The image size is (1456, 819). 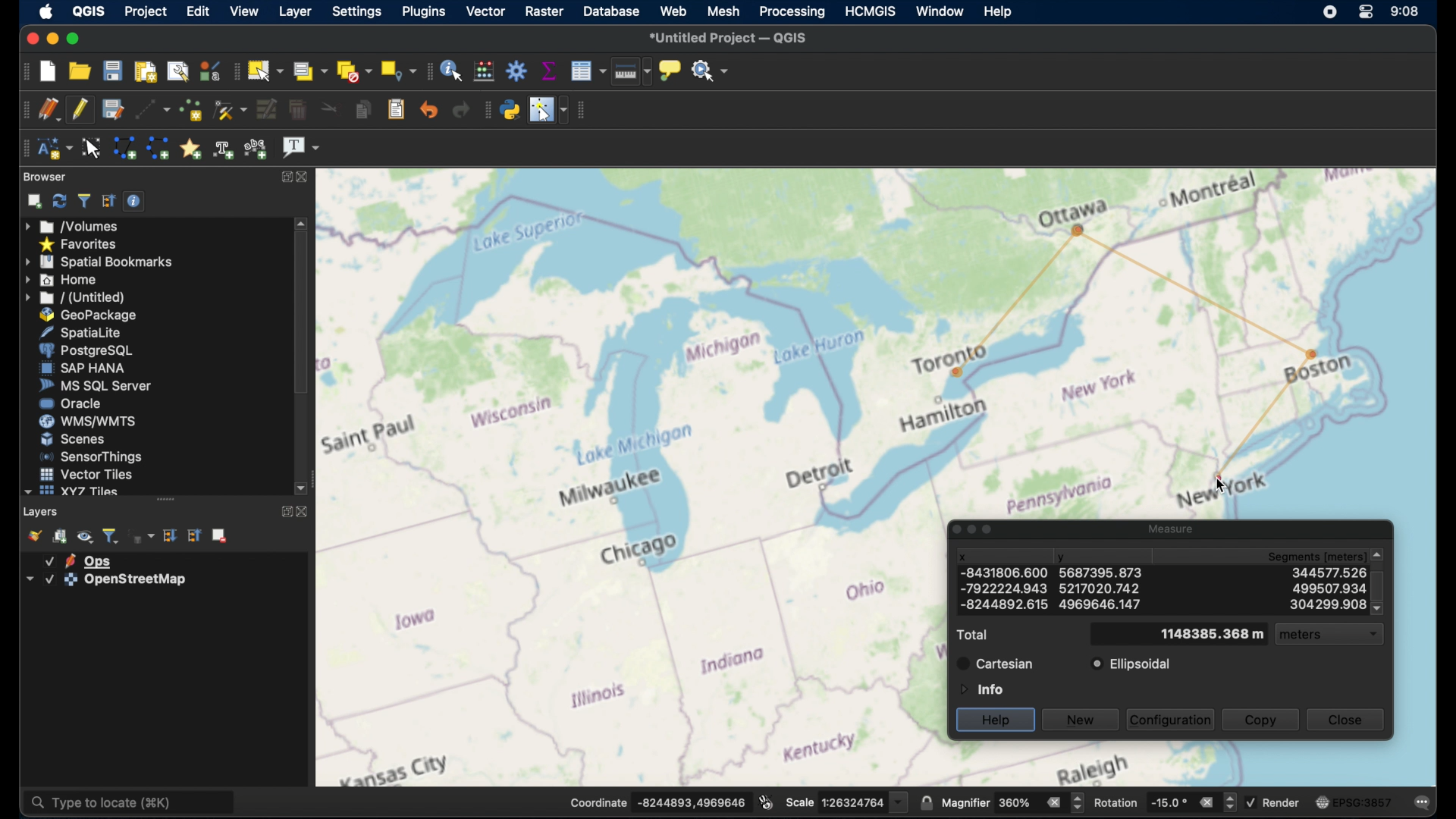 What do you see at coordinates (326, 108) in the screenshot?
I see `cut features` at bounding box center [326, 108].